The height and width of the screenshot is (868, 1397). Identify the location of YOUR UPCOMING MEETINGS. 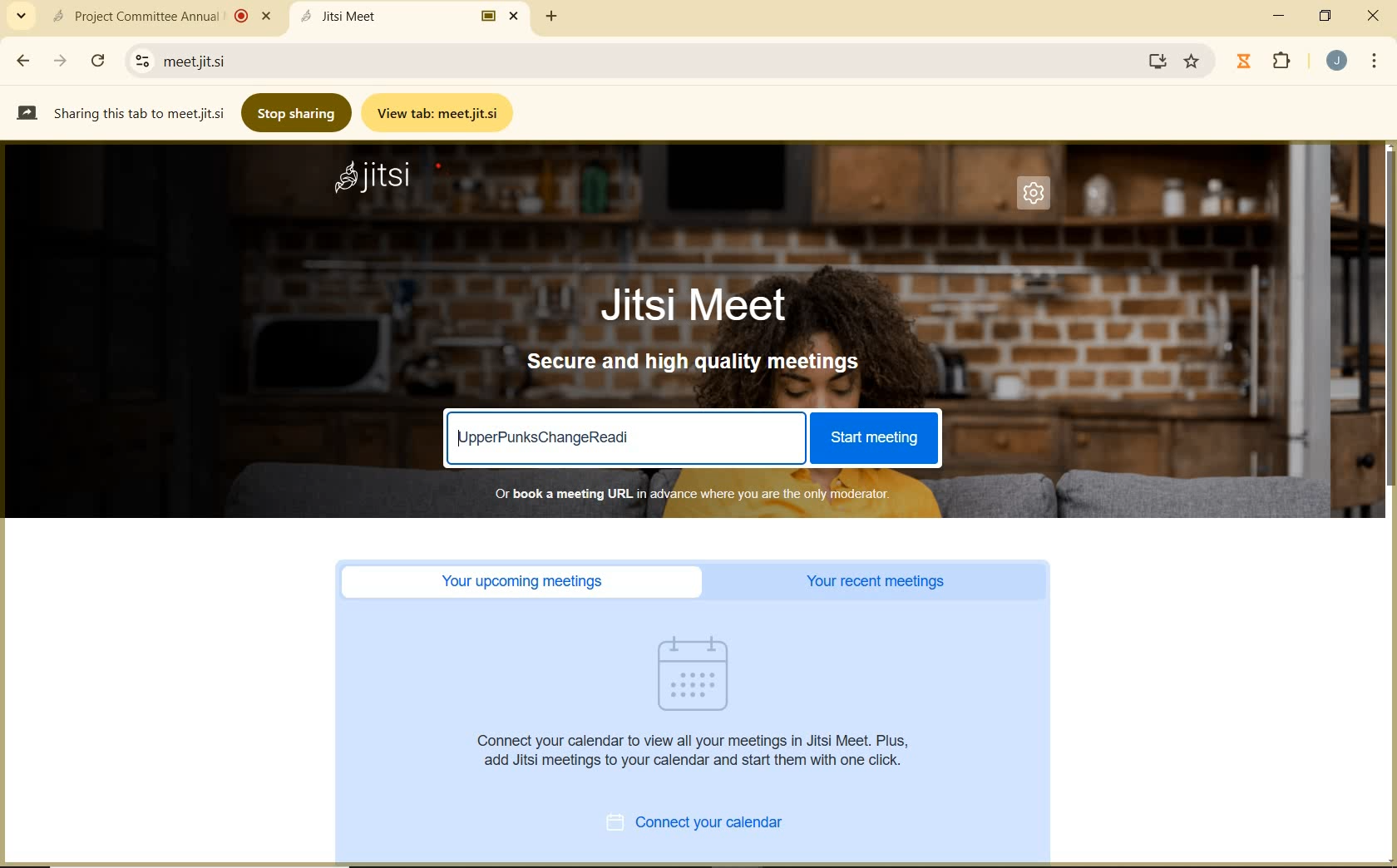
(527, 582).